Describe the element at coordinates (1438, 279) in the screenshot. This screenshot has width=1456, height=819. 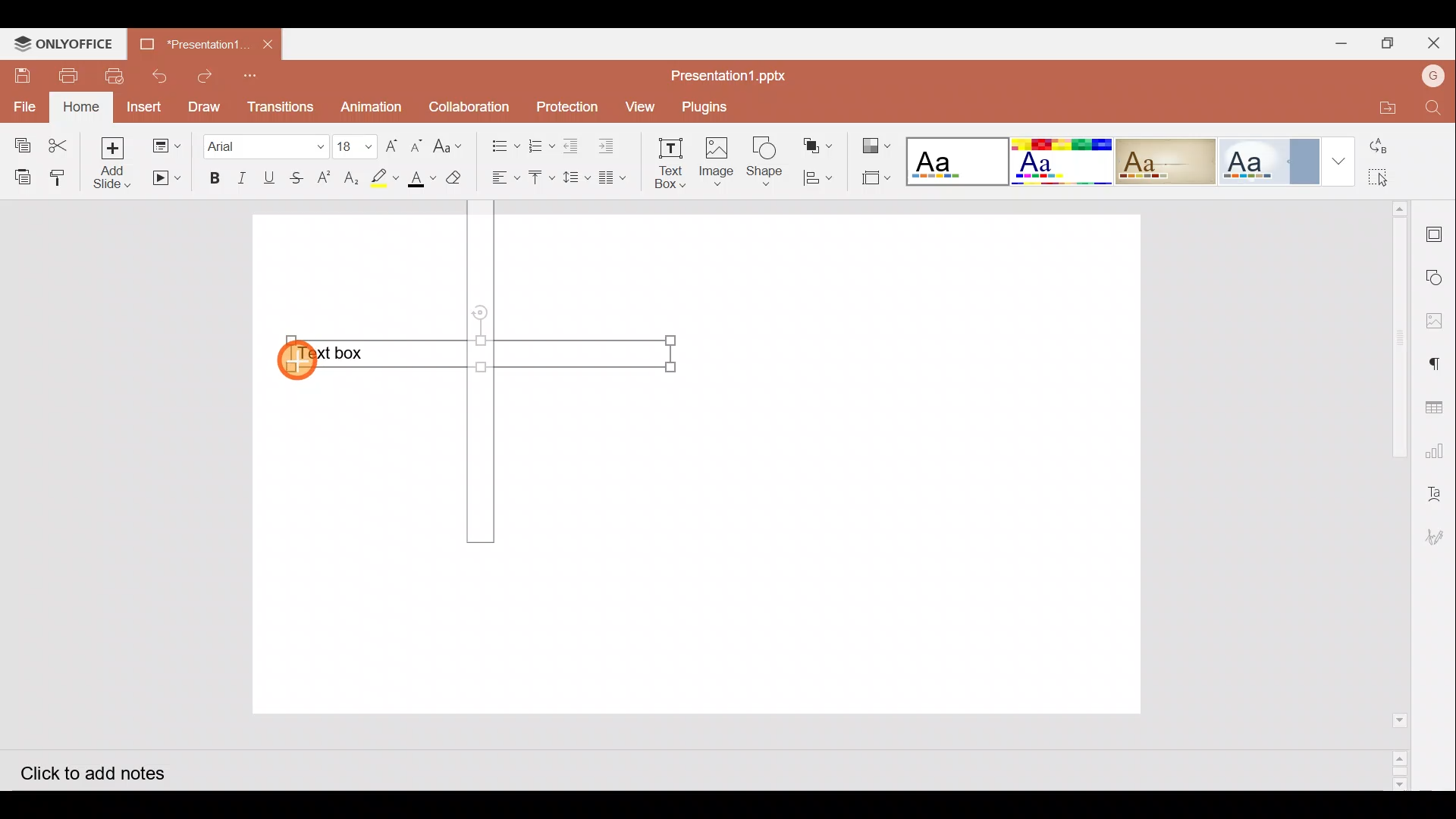
I see `Shapes settings` at that location.